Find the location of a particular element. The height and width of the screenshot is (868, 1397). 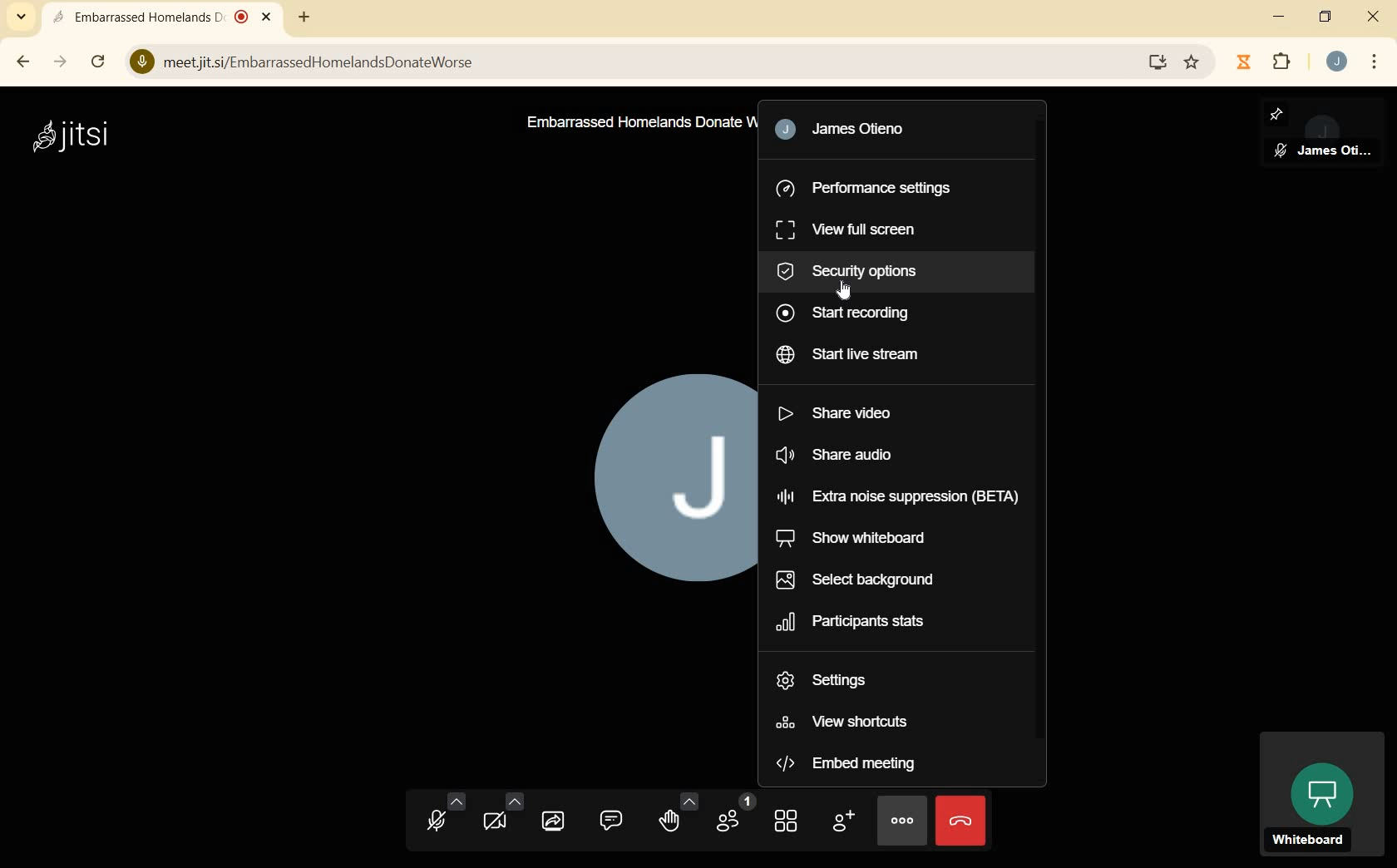

install is located at coordinates (1159, 62).